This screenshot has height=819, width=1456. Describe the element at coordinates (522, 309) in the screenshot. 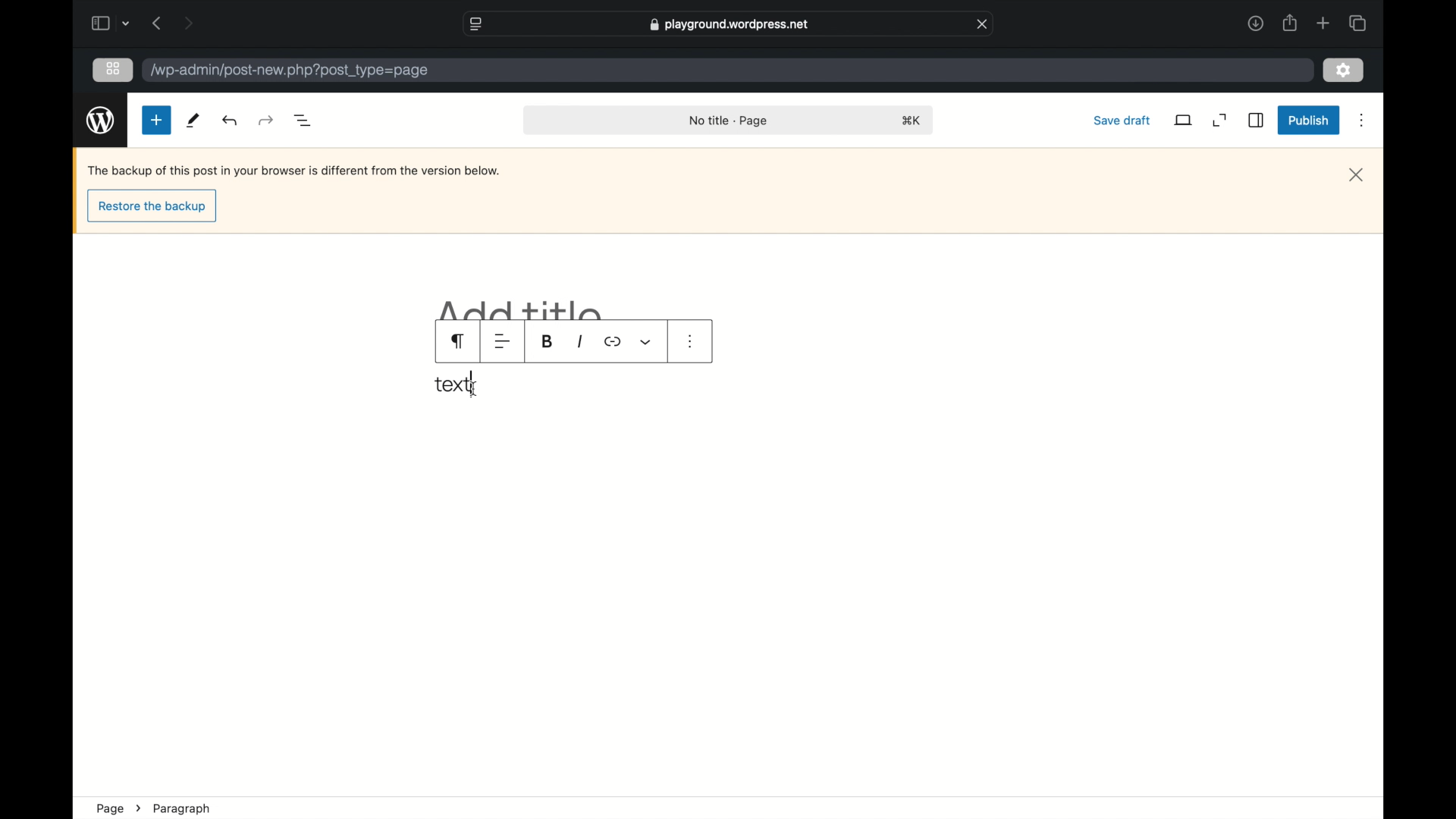

I see `add title` at that location.